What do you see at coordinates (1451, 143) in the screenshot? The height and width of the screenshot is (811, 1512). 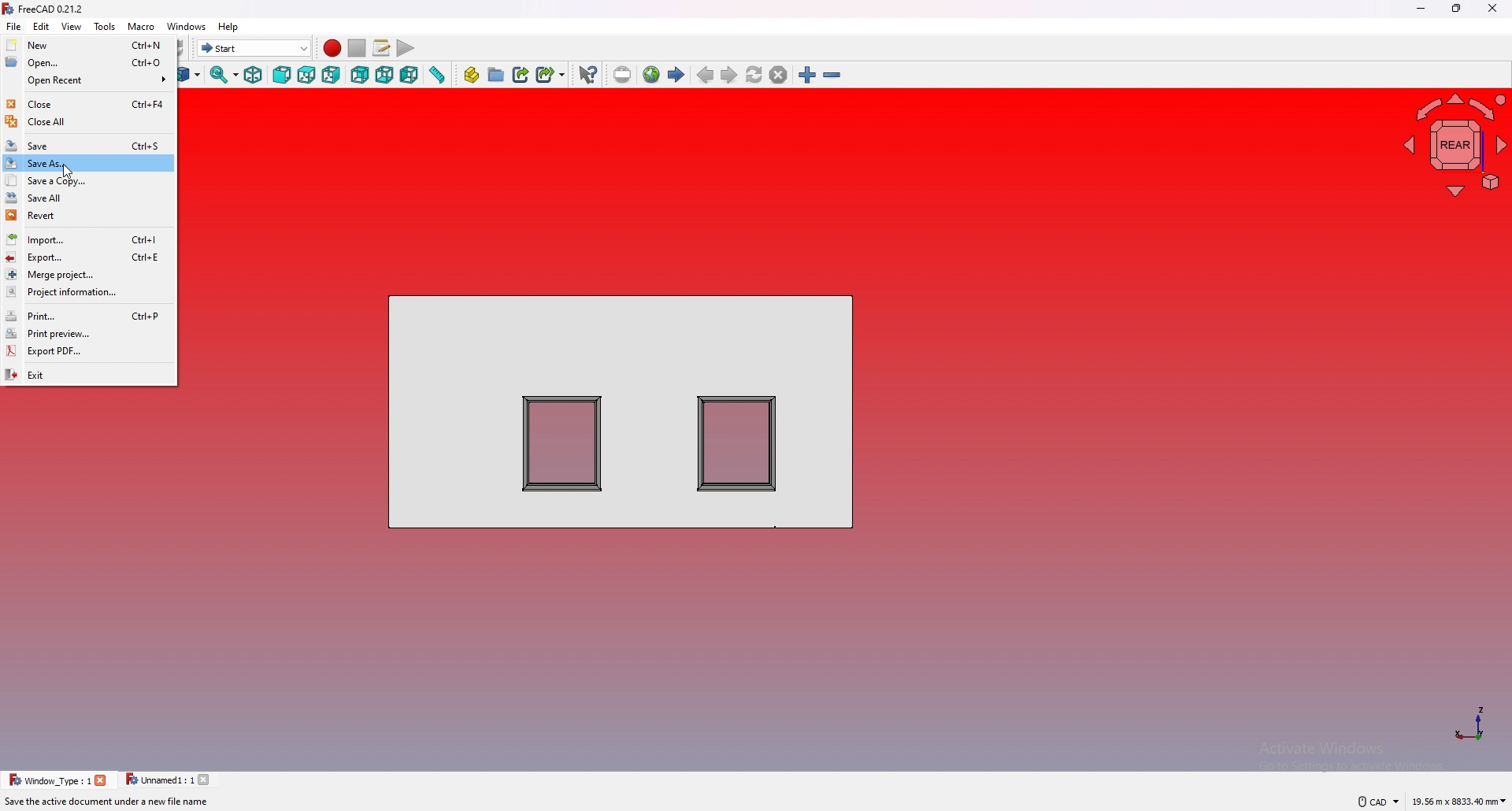 I see `navigating cube` at bounding box center [1451, 143].